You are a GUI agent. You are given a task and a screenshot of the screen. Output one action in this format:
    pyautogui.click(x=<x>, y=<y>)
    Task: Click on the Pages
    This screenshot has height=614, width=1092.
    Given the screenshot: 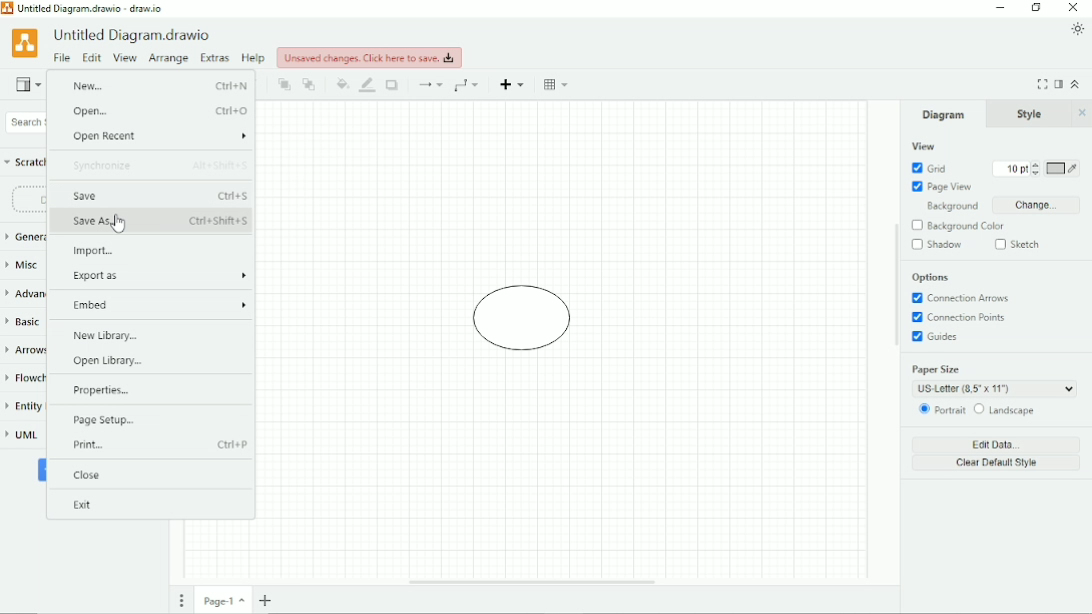 What is the action you would take?
    pyautogui.click(x=182, y=602)
    